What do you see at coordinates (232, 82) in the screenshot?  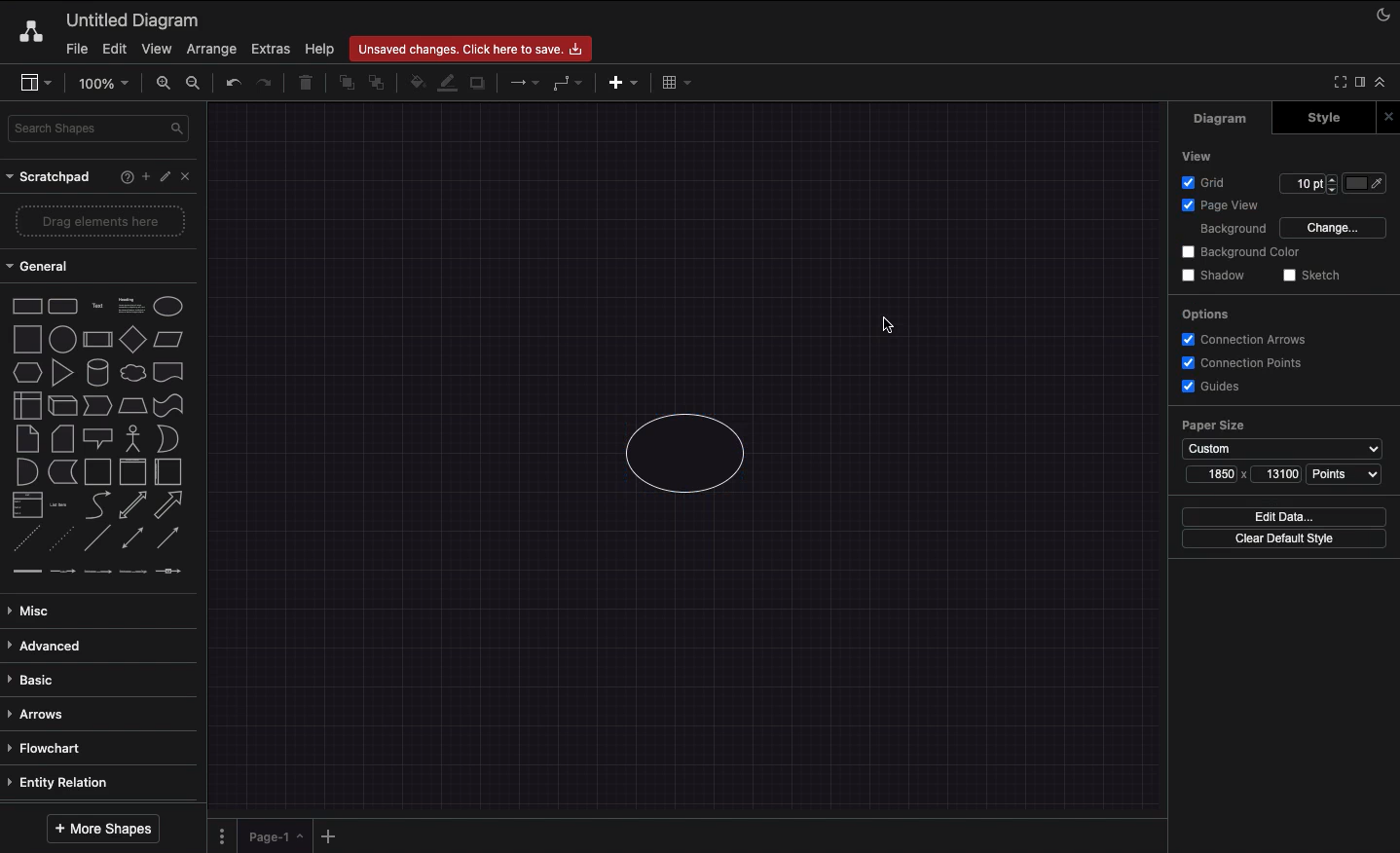 I see `Undo` at bounding box center [232, 82].